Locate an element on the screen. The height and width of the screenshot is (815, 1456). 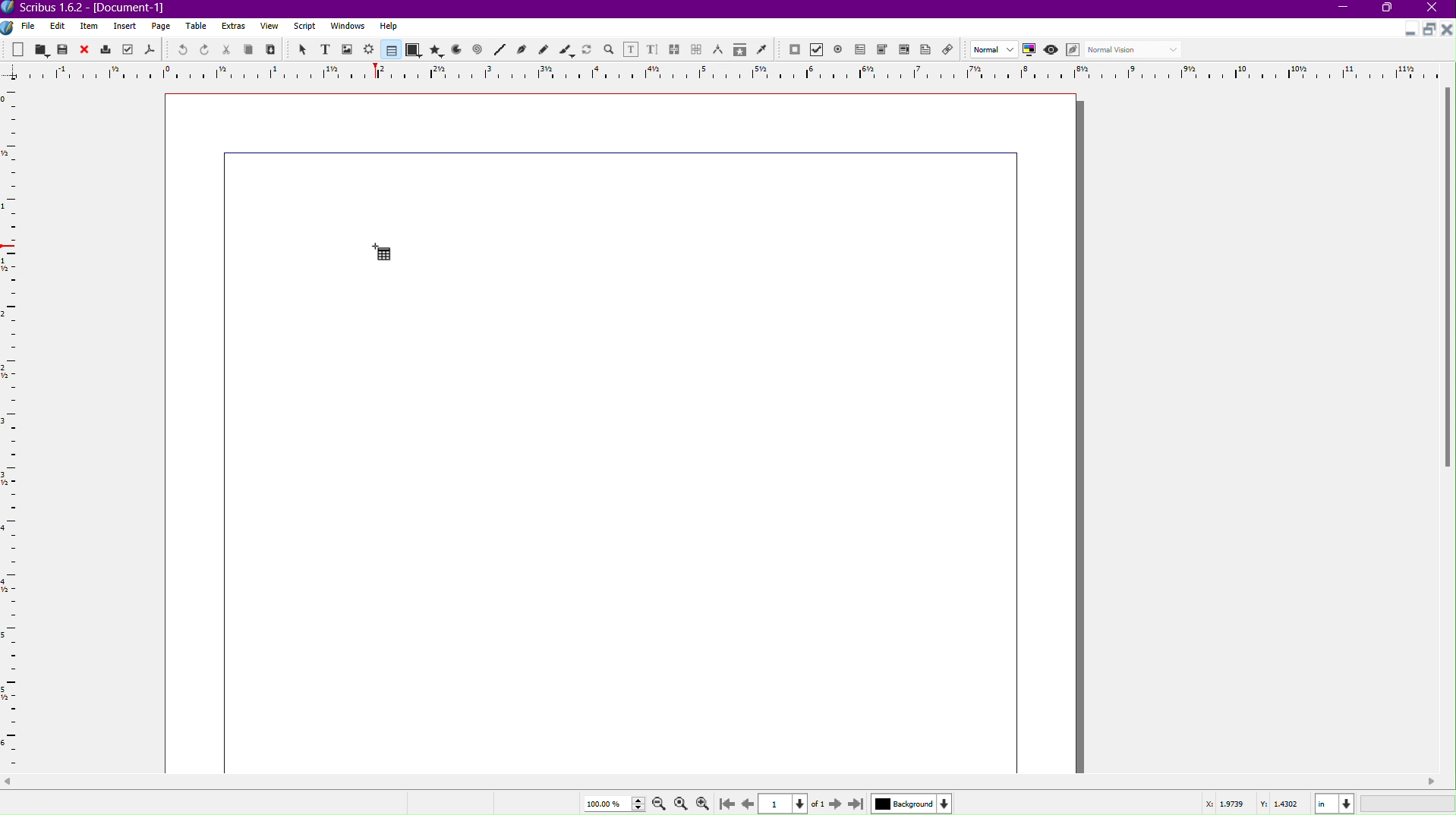
Edit Text with Story Editor is located at coordinates (653, 49).